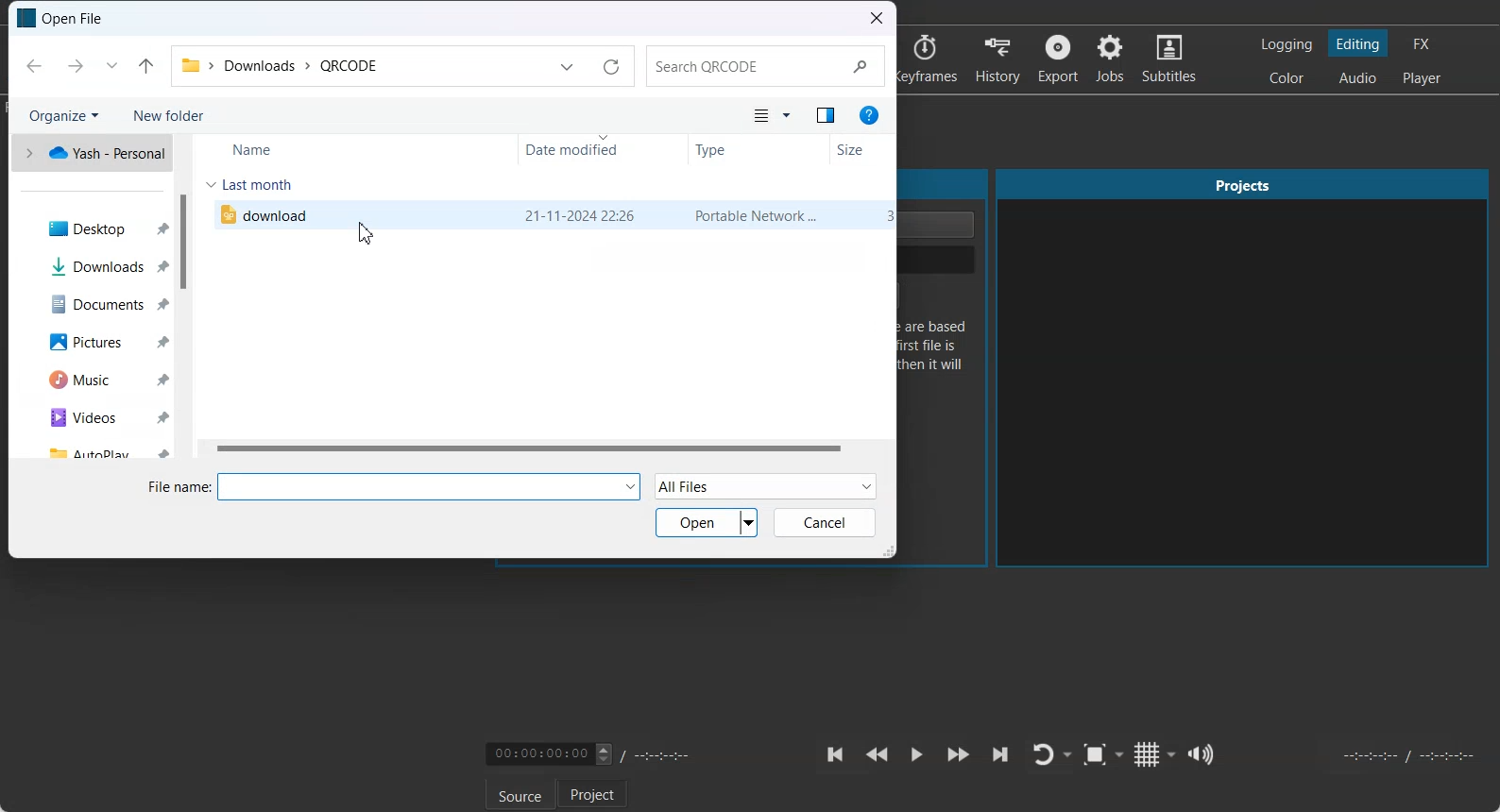 The width and height of the screenshot is (1500, 812). What do you see at coordinates (723, 151) in the screenshot?
I see `Type` at bounding box center [723, 151].